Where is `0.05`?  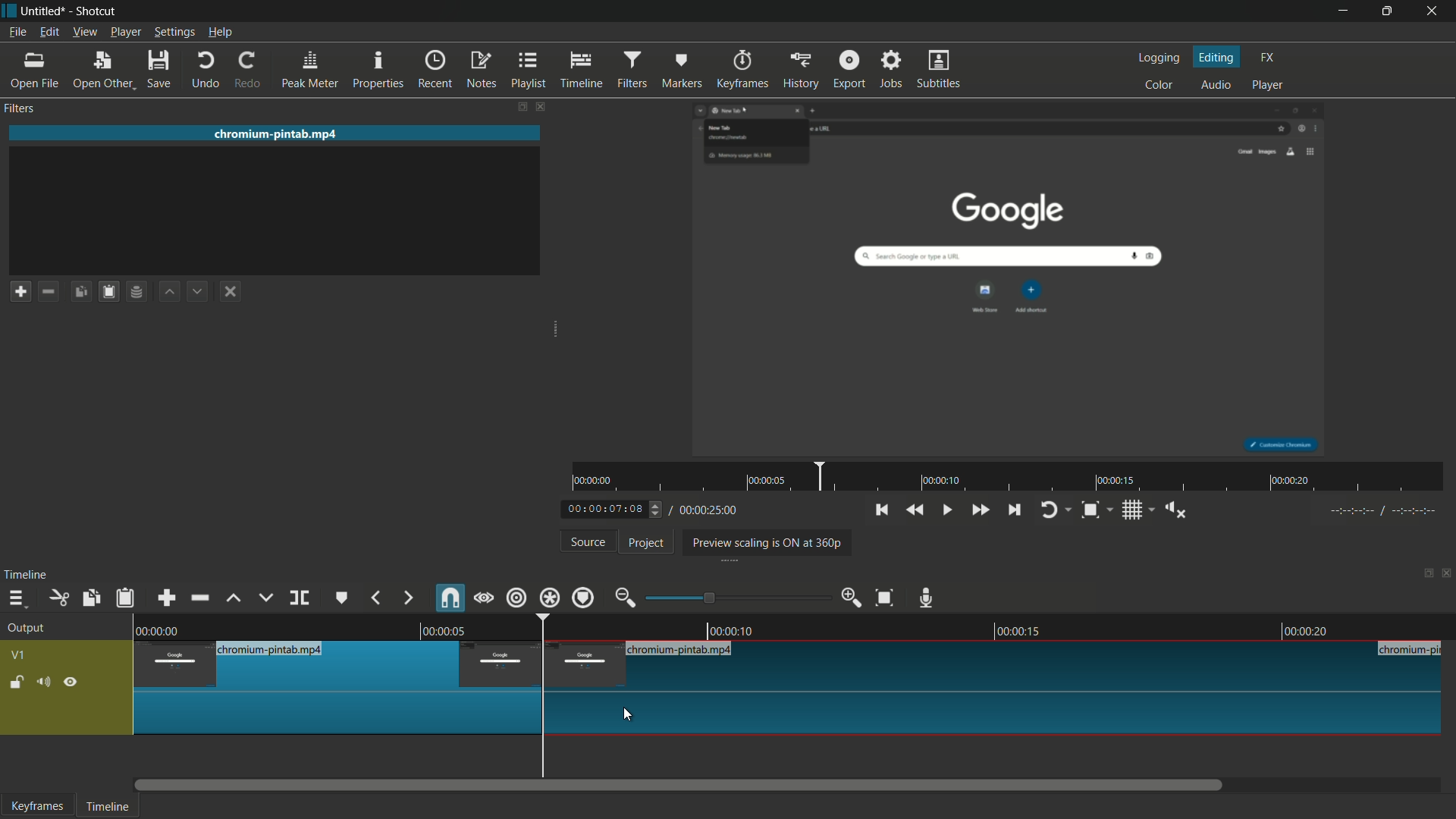
0.05 is located at coordinates (440, 629).